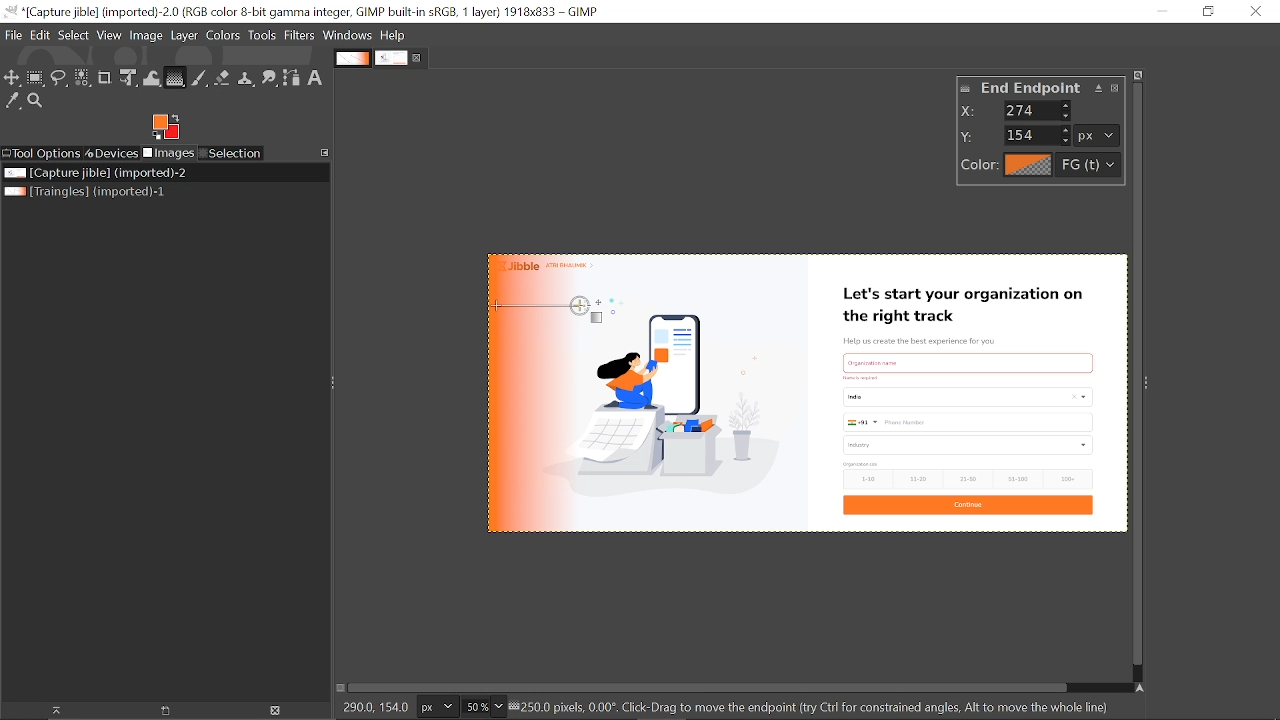  What do you see at coordinates (60, 79) in the screenshot?
I see `Free select tool` at bounding box center [60, 79].